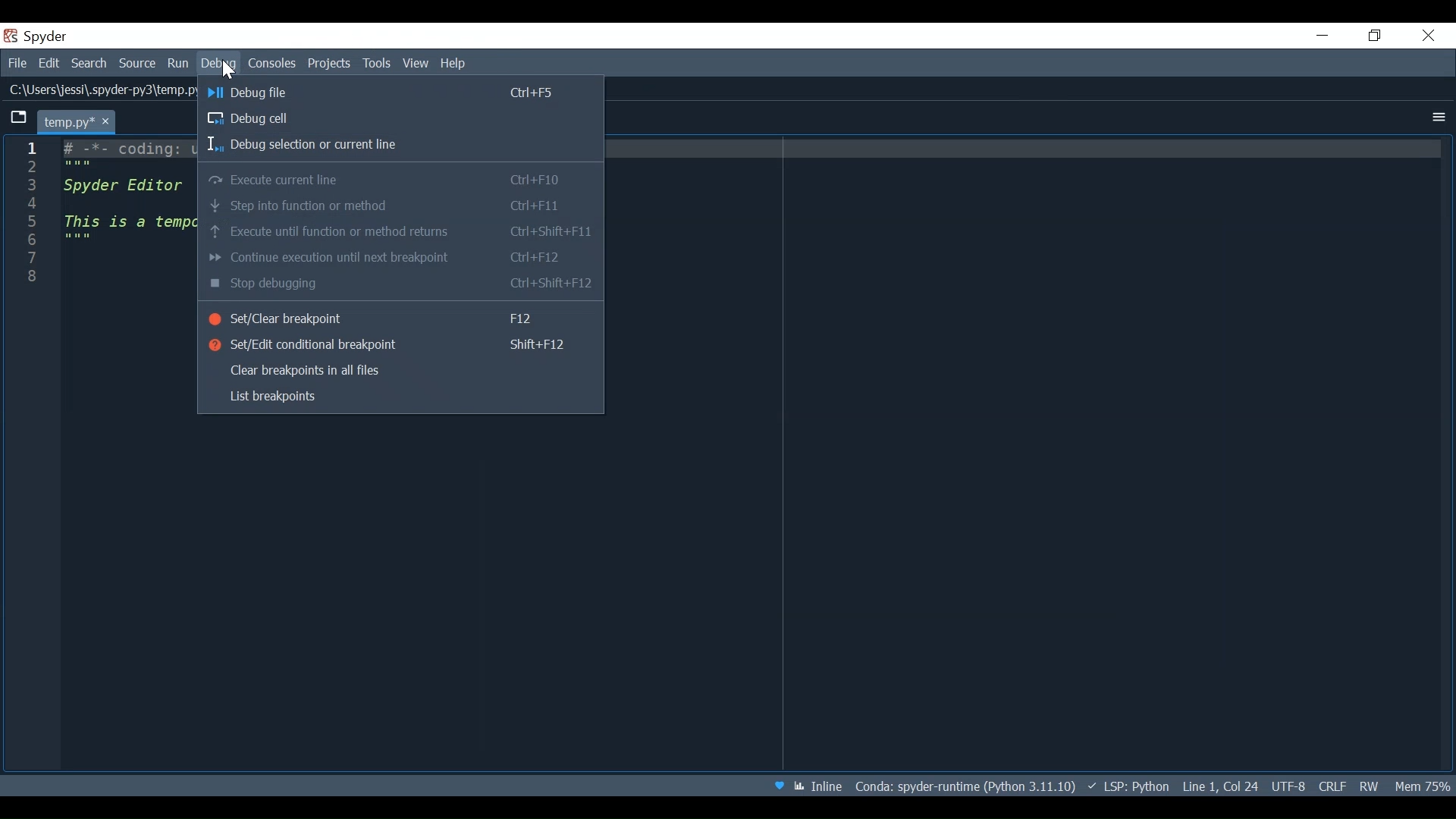 The width and height of the screenshot is (1456, 819). I want to click on File Path, so click(964, 785).